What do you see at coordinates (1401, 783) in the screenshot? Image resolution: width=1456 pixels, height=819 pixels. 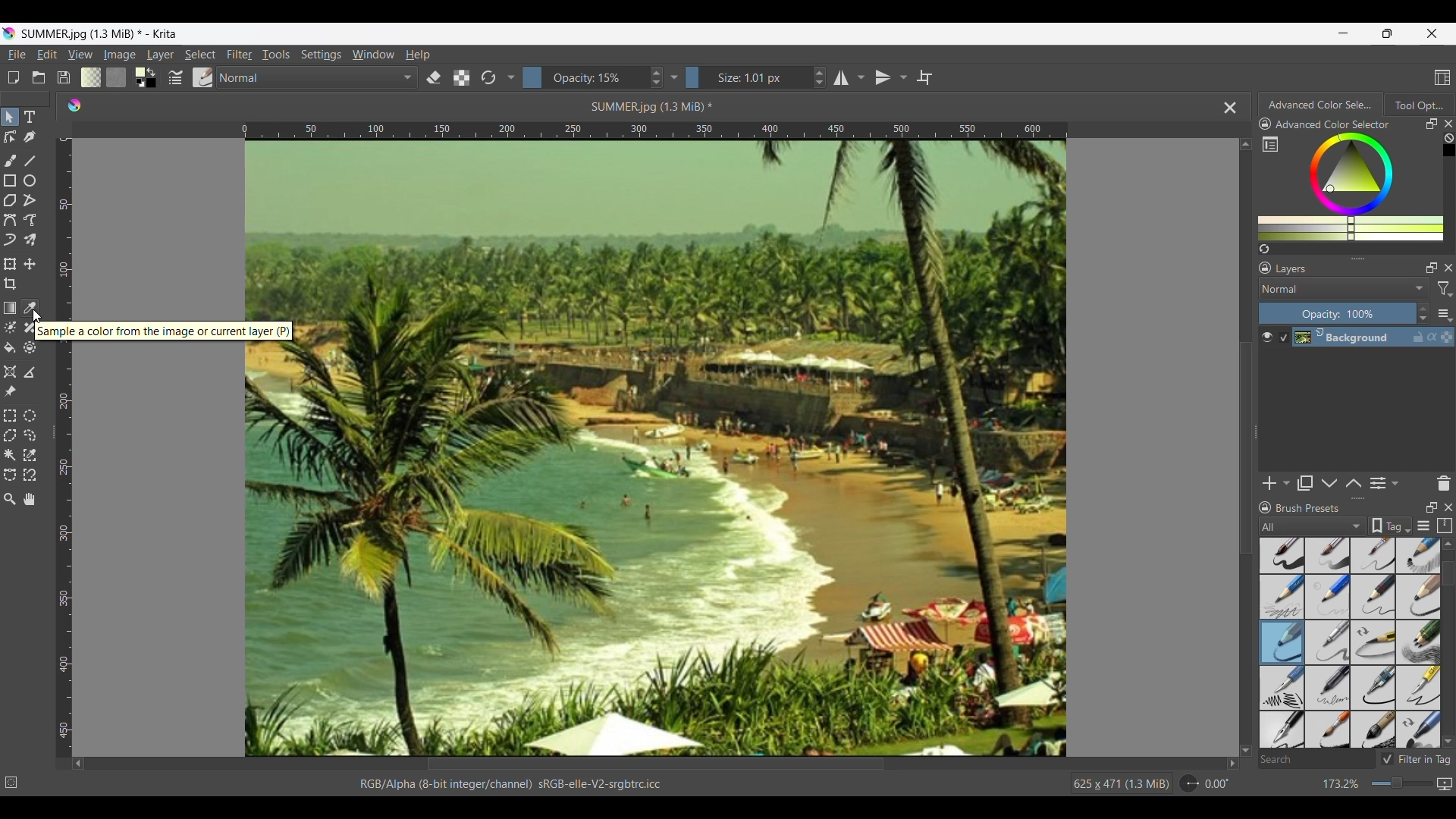 I see `Change zoom` at bounding box center [1401, 783].